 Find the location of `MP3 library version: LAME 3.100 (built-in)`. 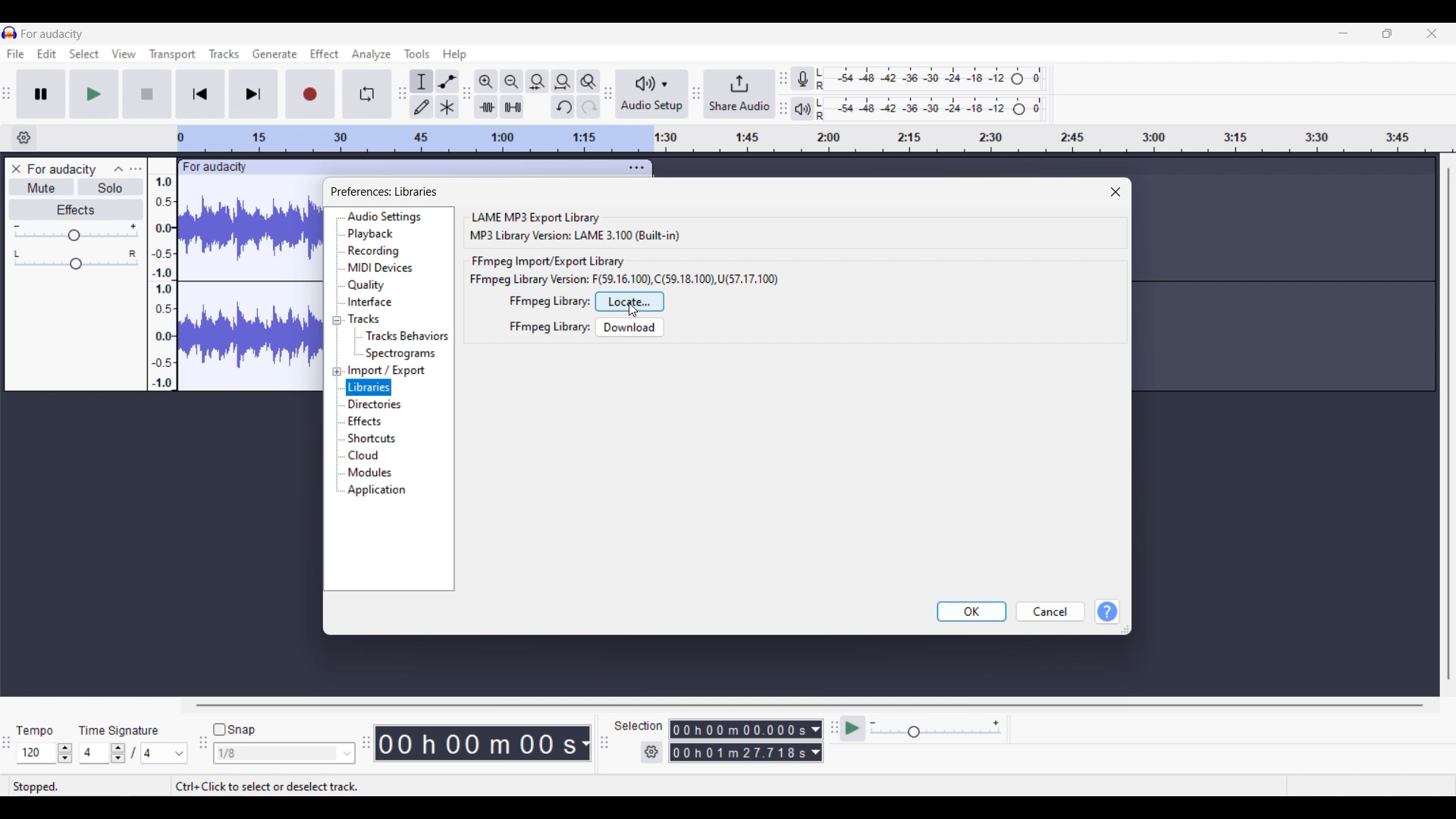

MP3 library version: LAME 3.100 (built-in) is located at coordinates (575, 236).